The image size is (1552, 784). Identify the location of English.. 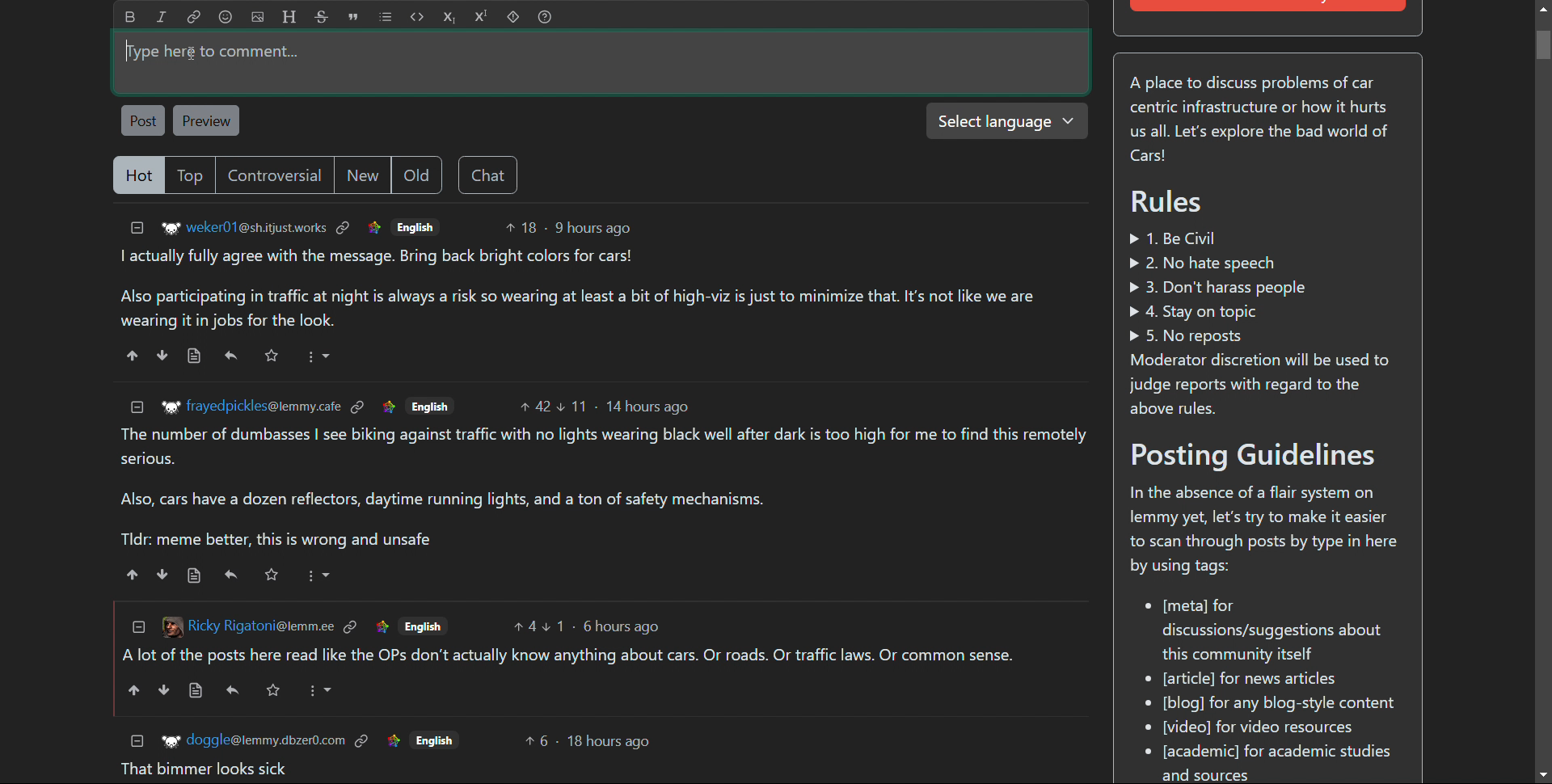
(423, 626).